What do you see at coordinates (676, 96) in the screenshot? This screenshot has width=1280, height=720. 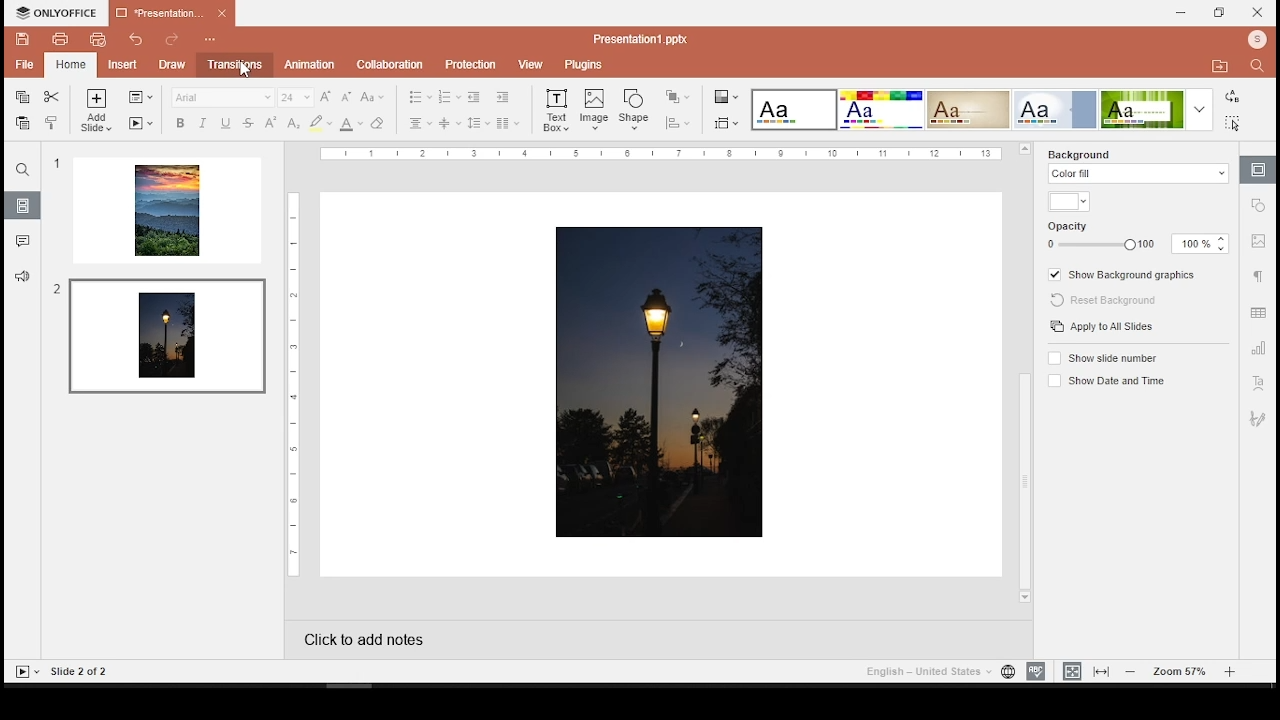 I see `arrange shapes` at bounding box center [676, 96].